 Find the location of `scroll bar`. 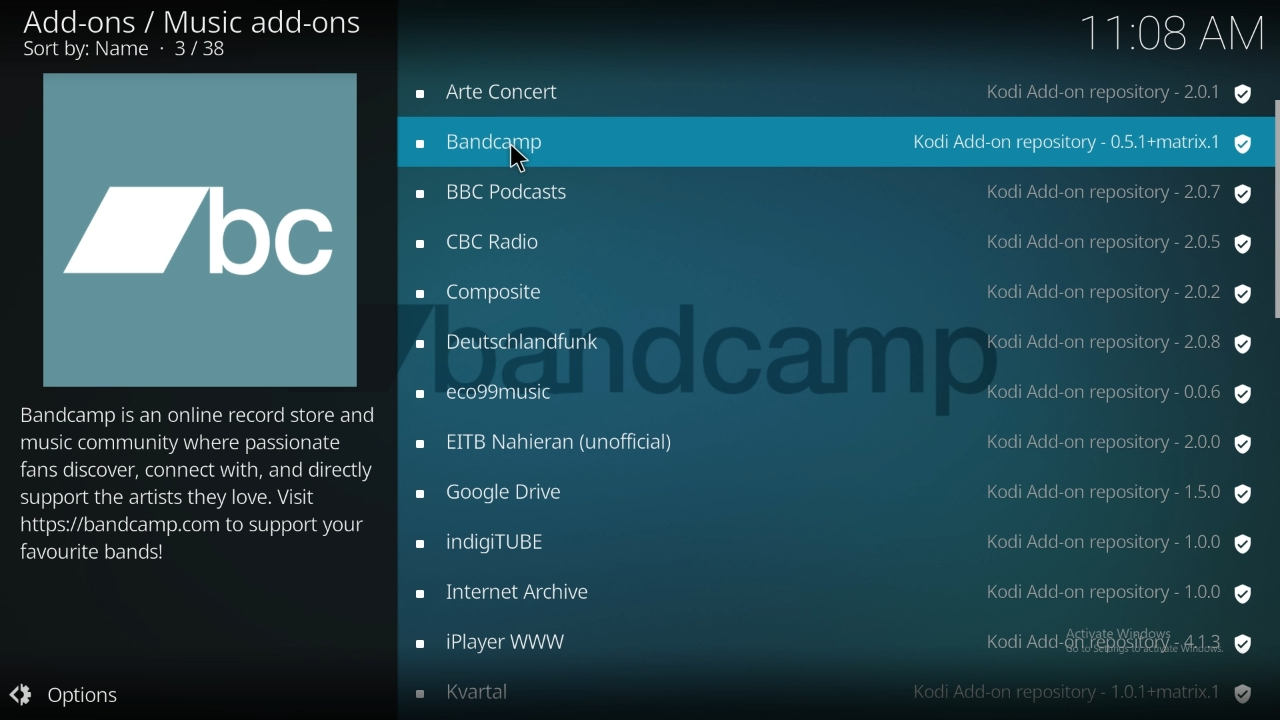

scroll bar is located at coordinates (1276, 209).